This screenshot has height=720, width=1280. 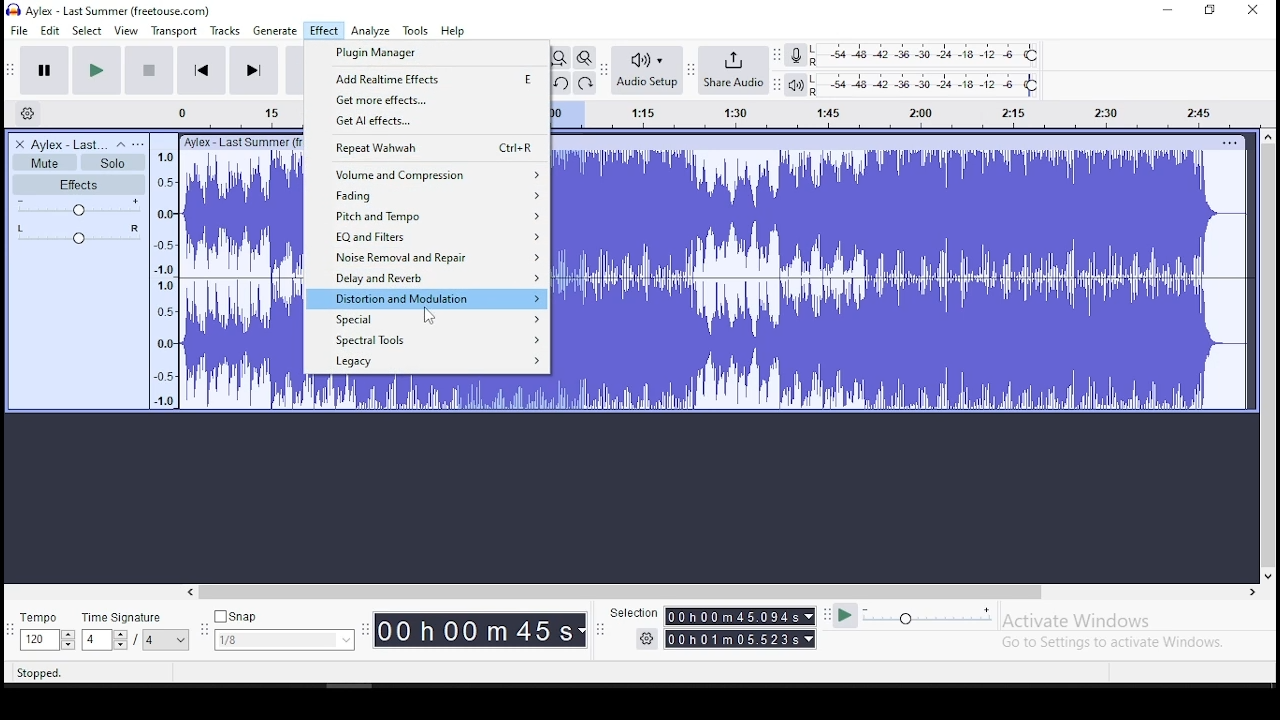 I want to click on get more effects, so click(x=426, y=100).